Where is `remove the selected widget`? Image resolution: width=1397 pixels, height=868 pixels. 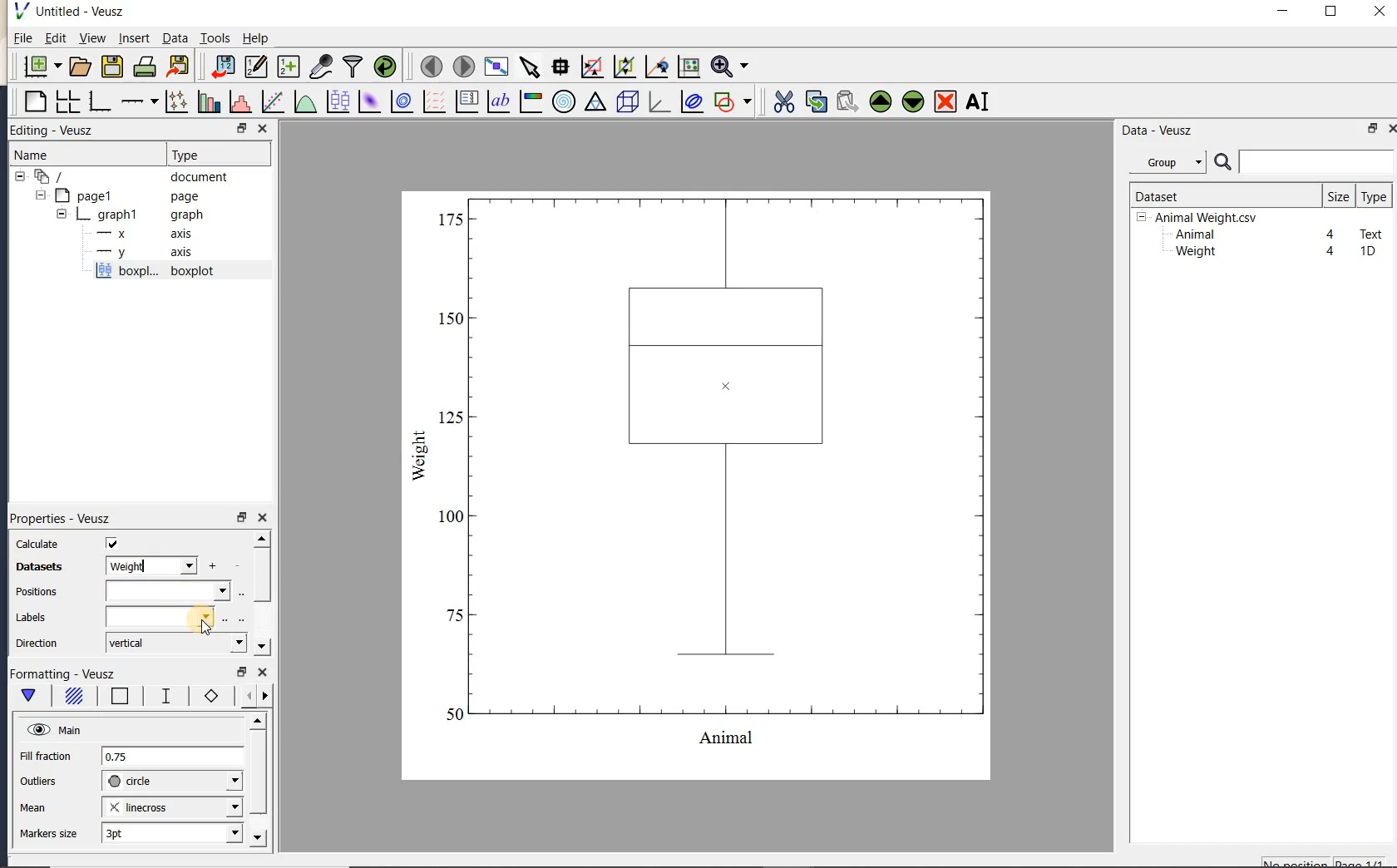 remove the selected widget is located at coordinates (944, 103).